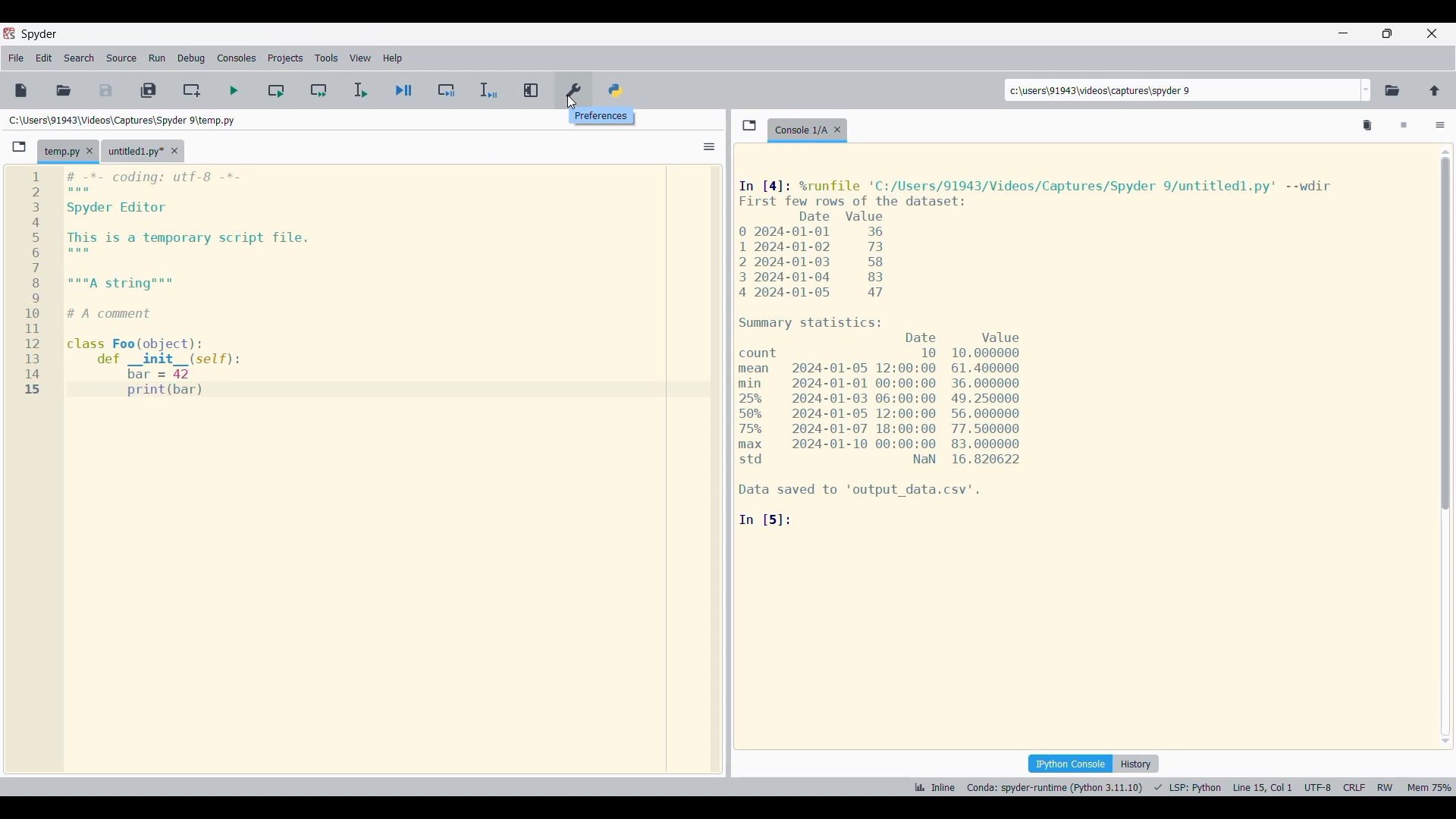 This screenshot has height=819, width=1456. What do you see at coordinates (1446, 445) in the screenshot?
I see `Vertical slide bar` at bounding box center [1446, 445].